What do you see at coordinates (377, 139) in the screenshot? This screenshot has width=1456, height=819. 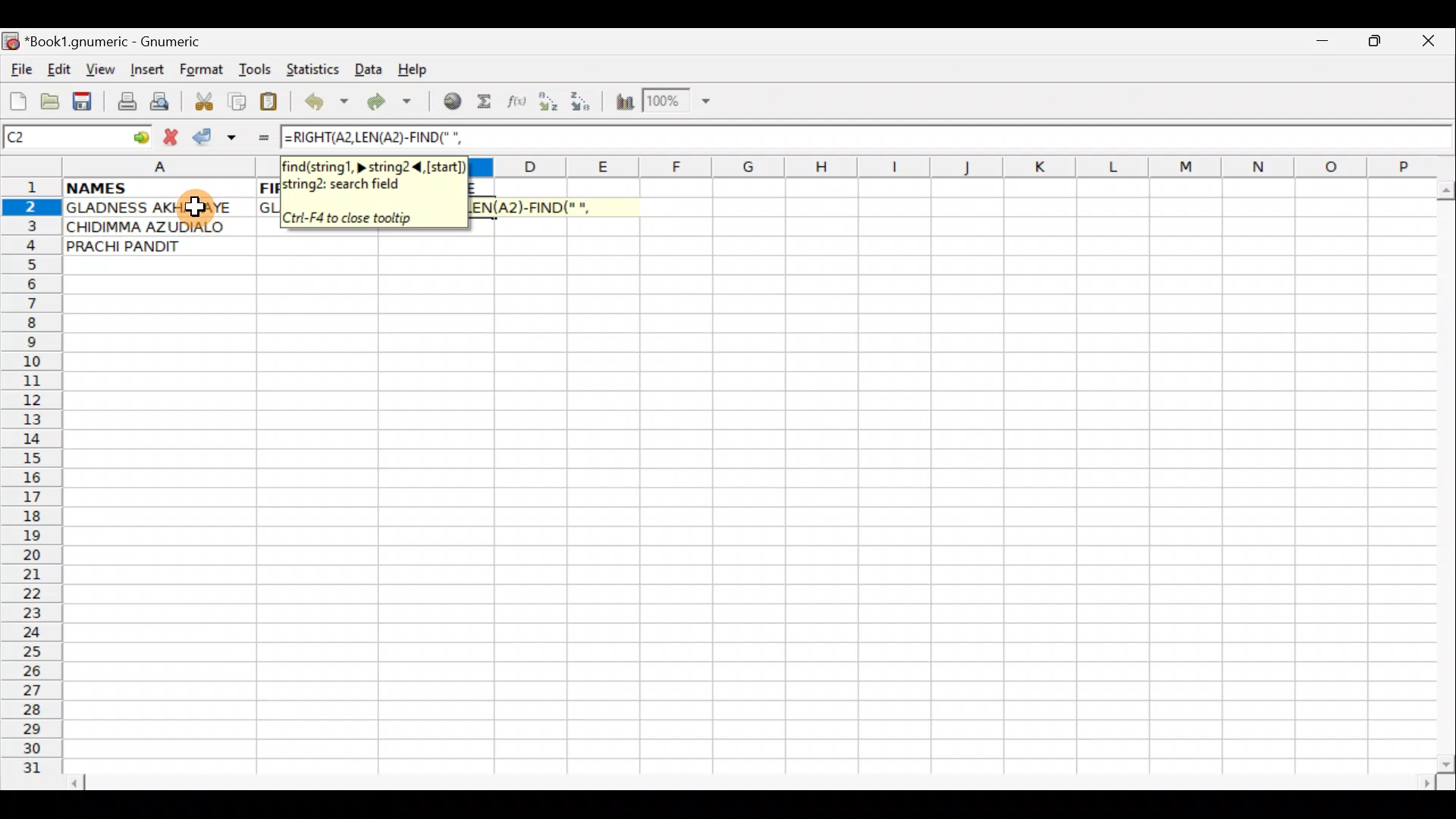 I see `=RIGHT(A2,LEN(A2)-FIND(" ",` at bounding box center [377, 139].